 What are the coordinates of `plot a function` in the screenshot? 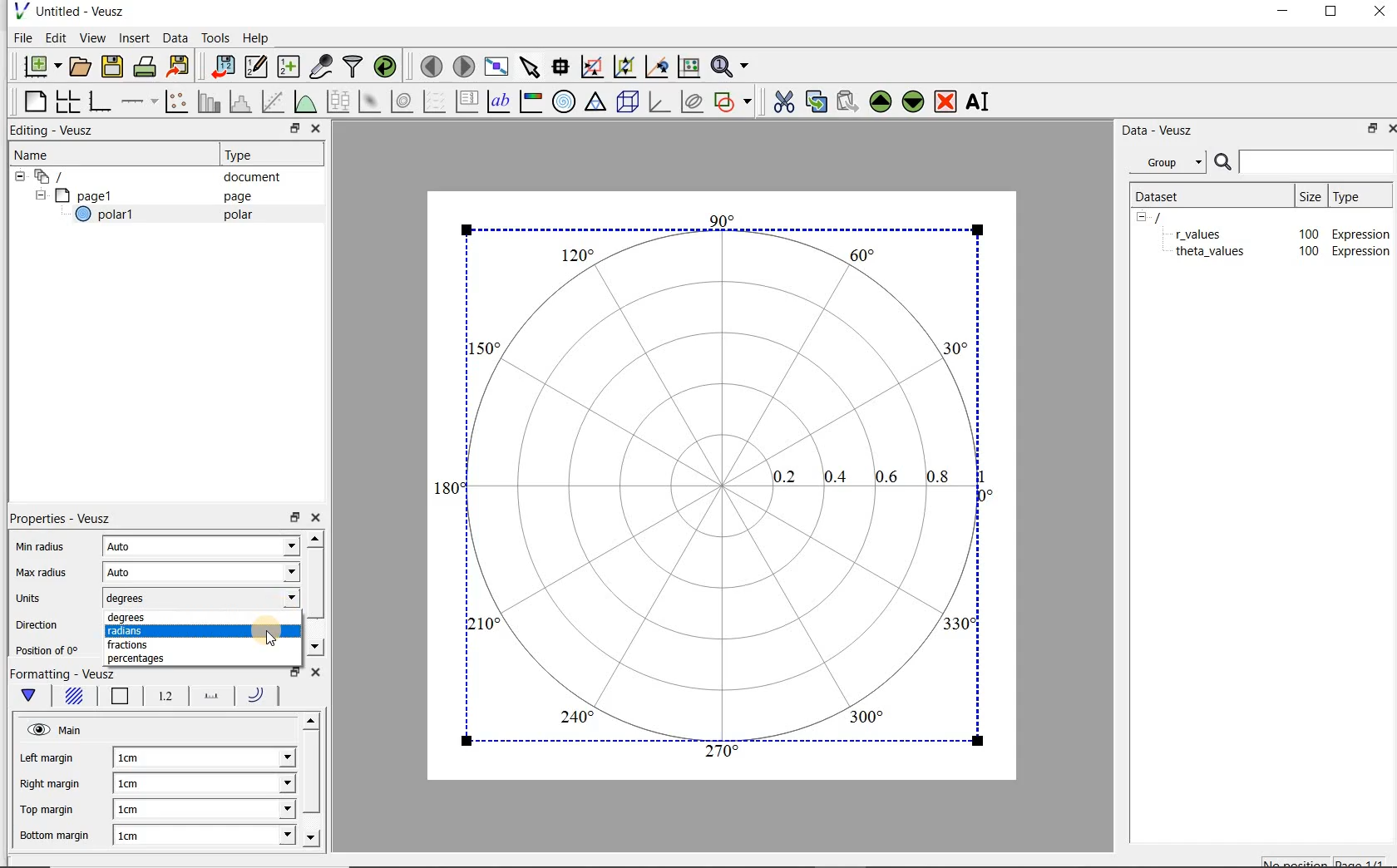 It's located at (304, 101).